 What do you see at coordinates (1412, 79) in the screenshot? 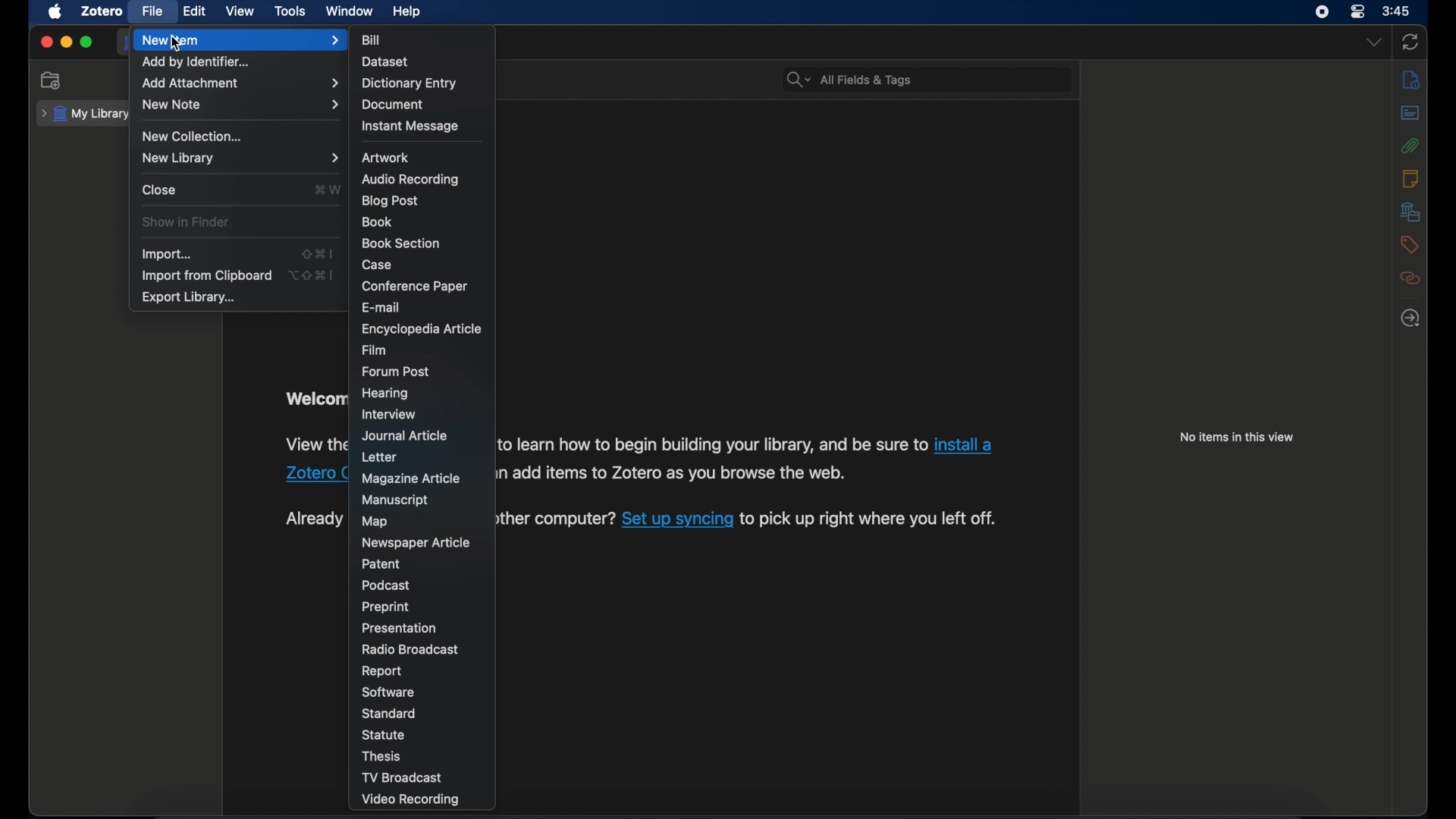
I see `info` at bounding box center [1412, 79].